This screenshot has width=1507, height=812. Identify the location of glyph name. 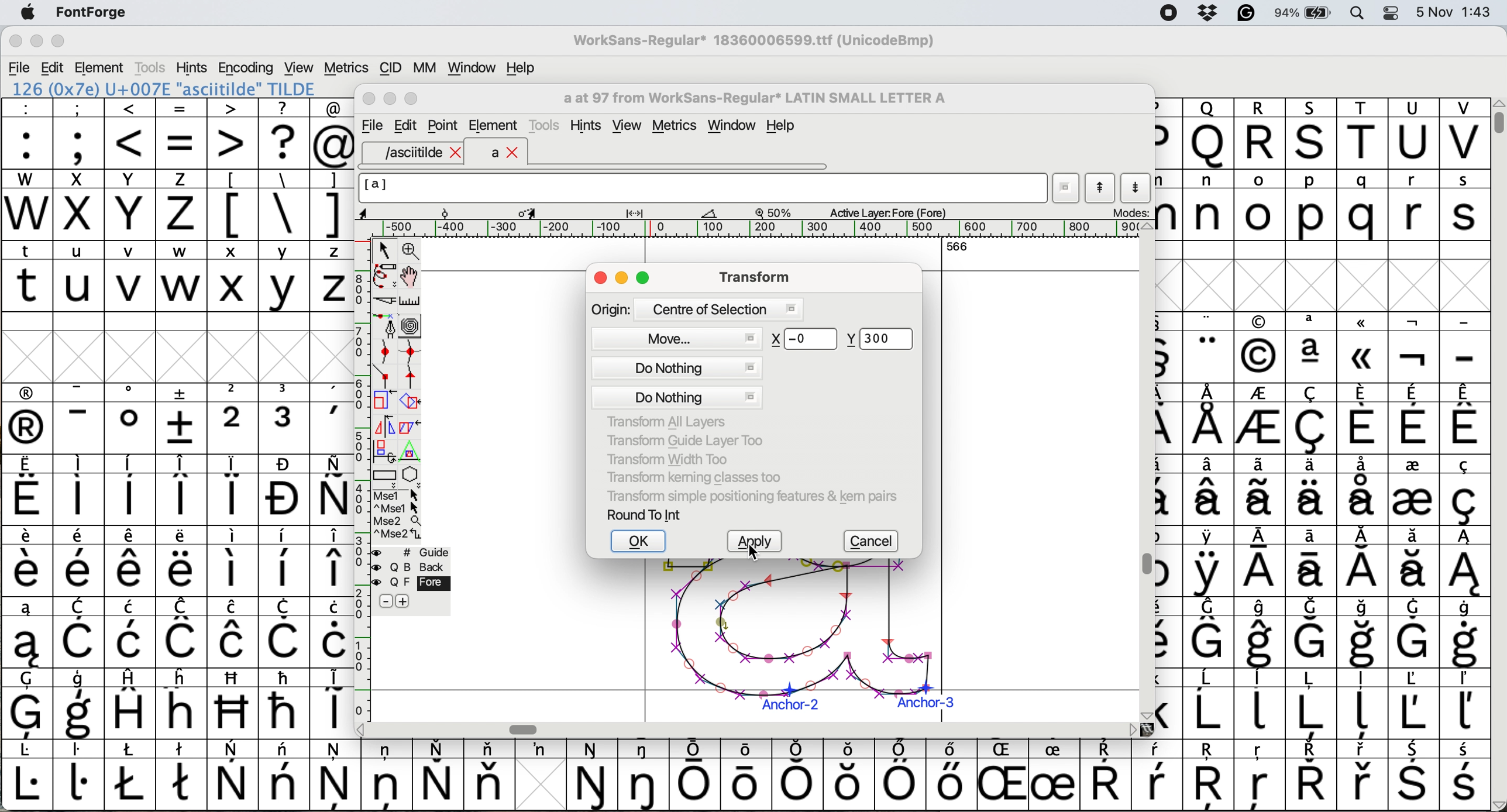
(753, 98).